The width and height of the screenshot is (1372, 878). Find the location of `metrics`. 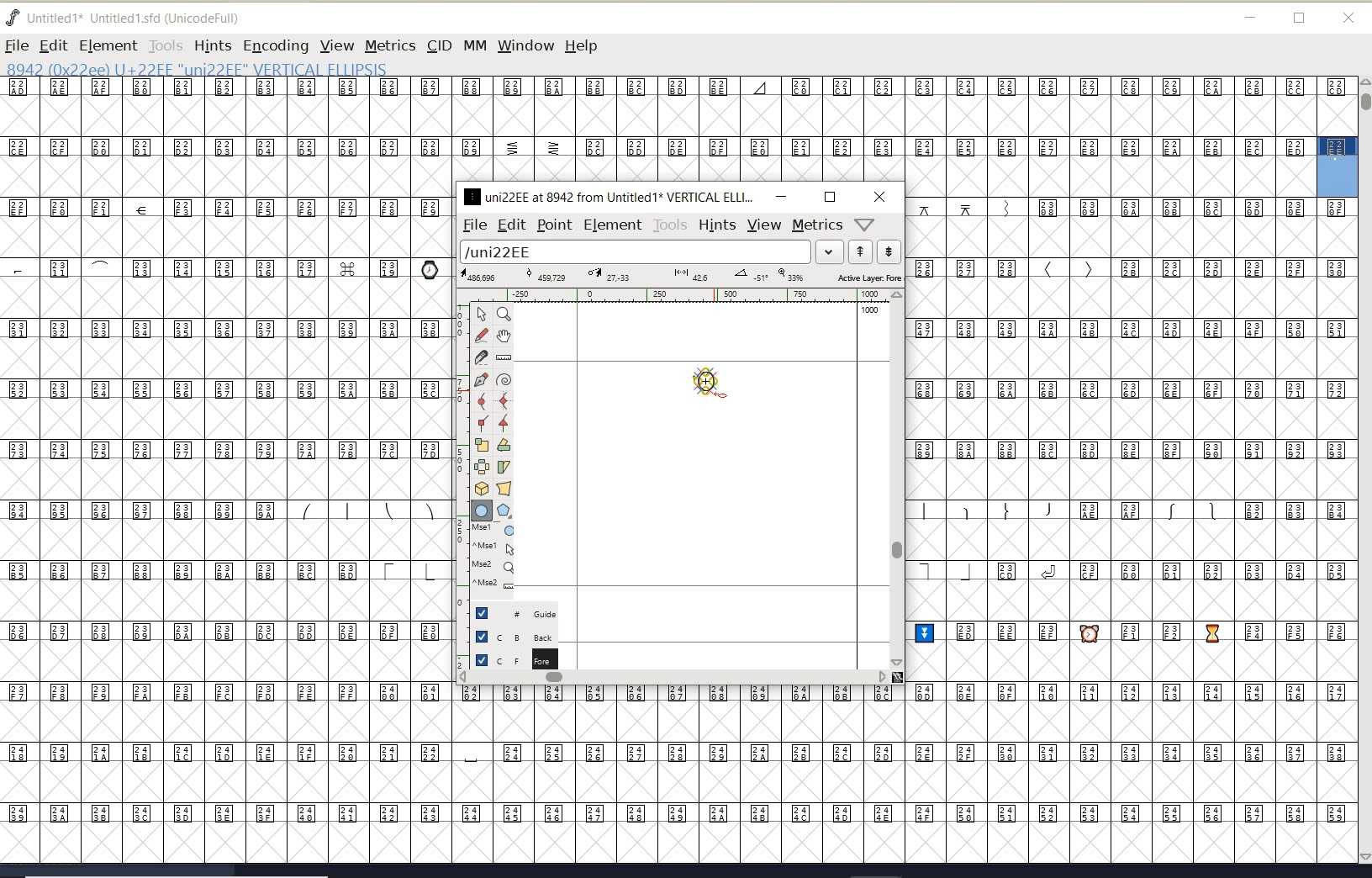

metrics is located at coordinates (817, 225).